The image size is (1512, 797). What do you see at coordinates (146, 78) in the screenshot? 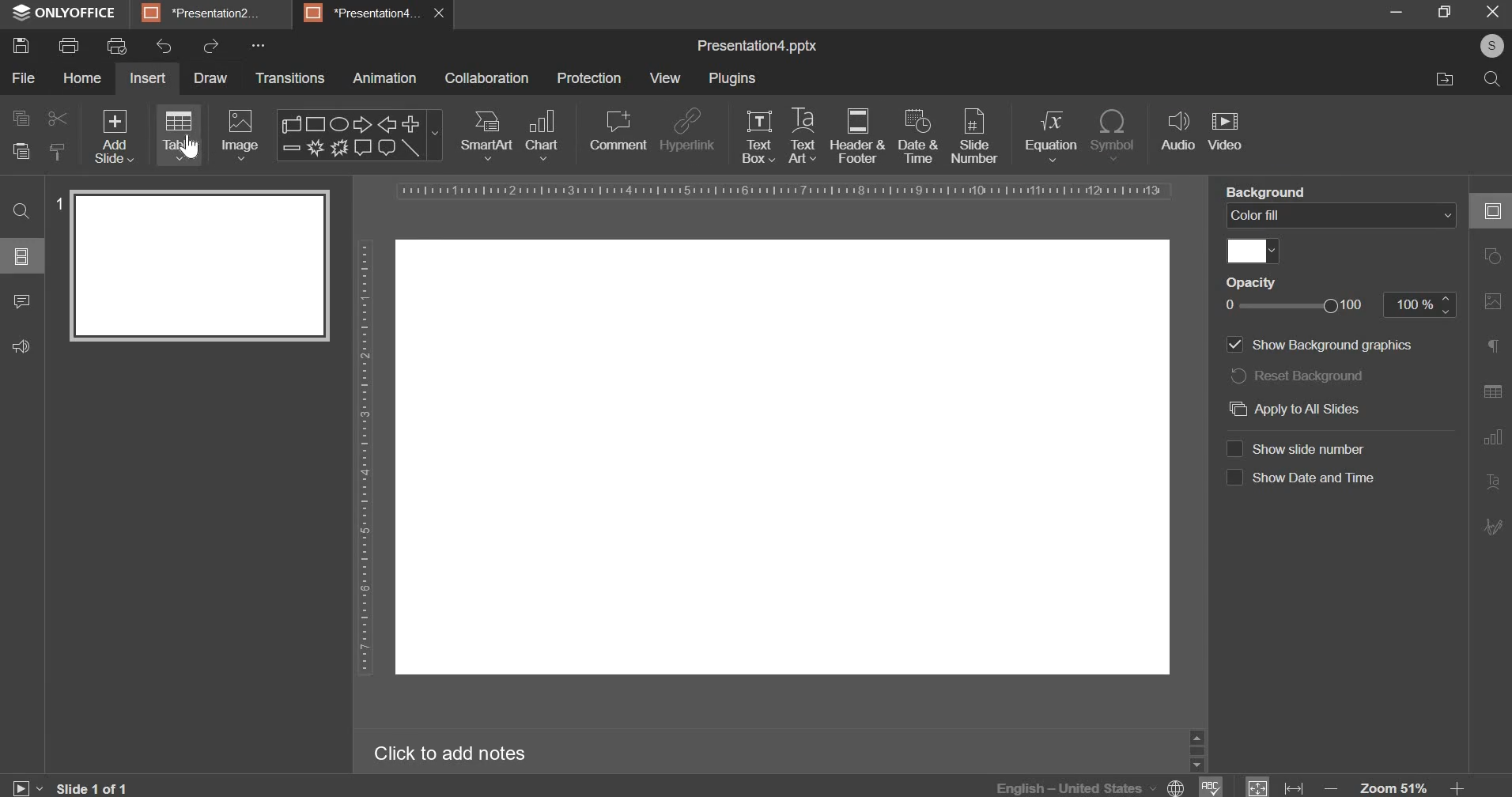
I see `insert` at bounding box center [146, 78].